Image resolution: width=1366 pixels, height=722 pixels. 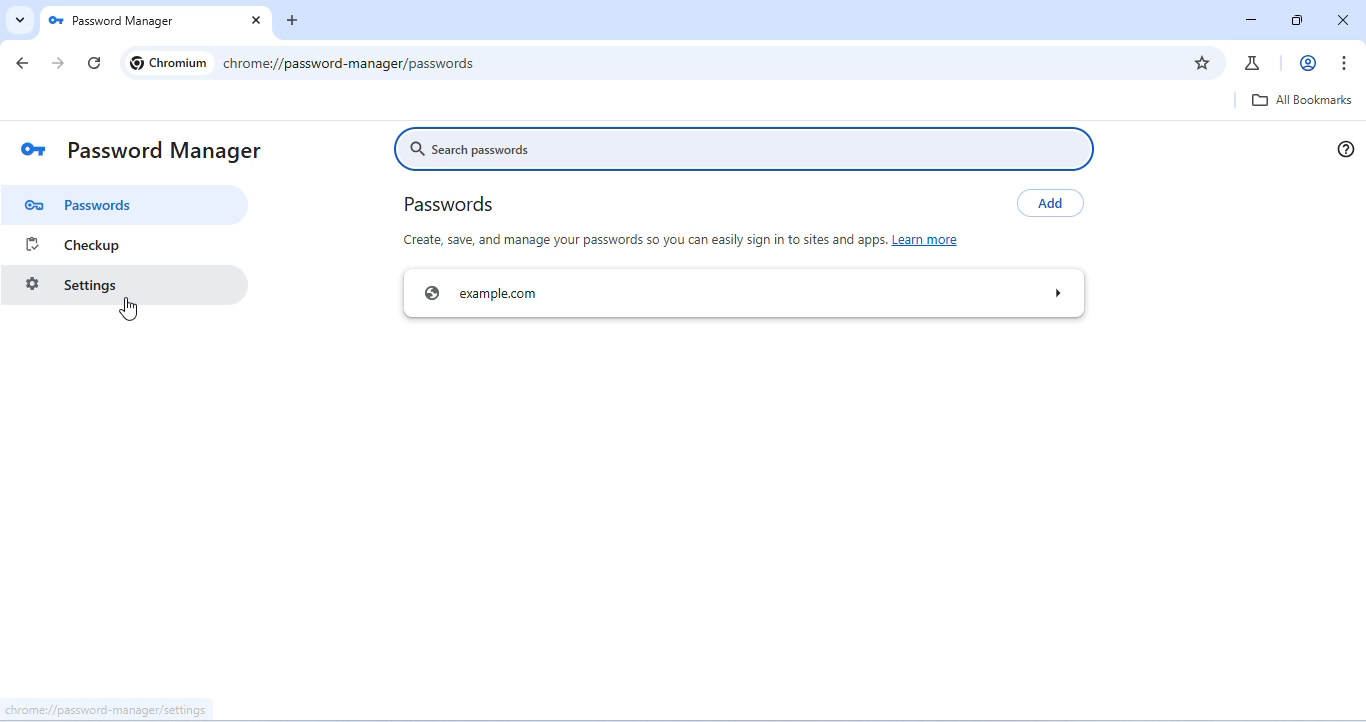 I want to click on logo, so click(x=33, y=152).